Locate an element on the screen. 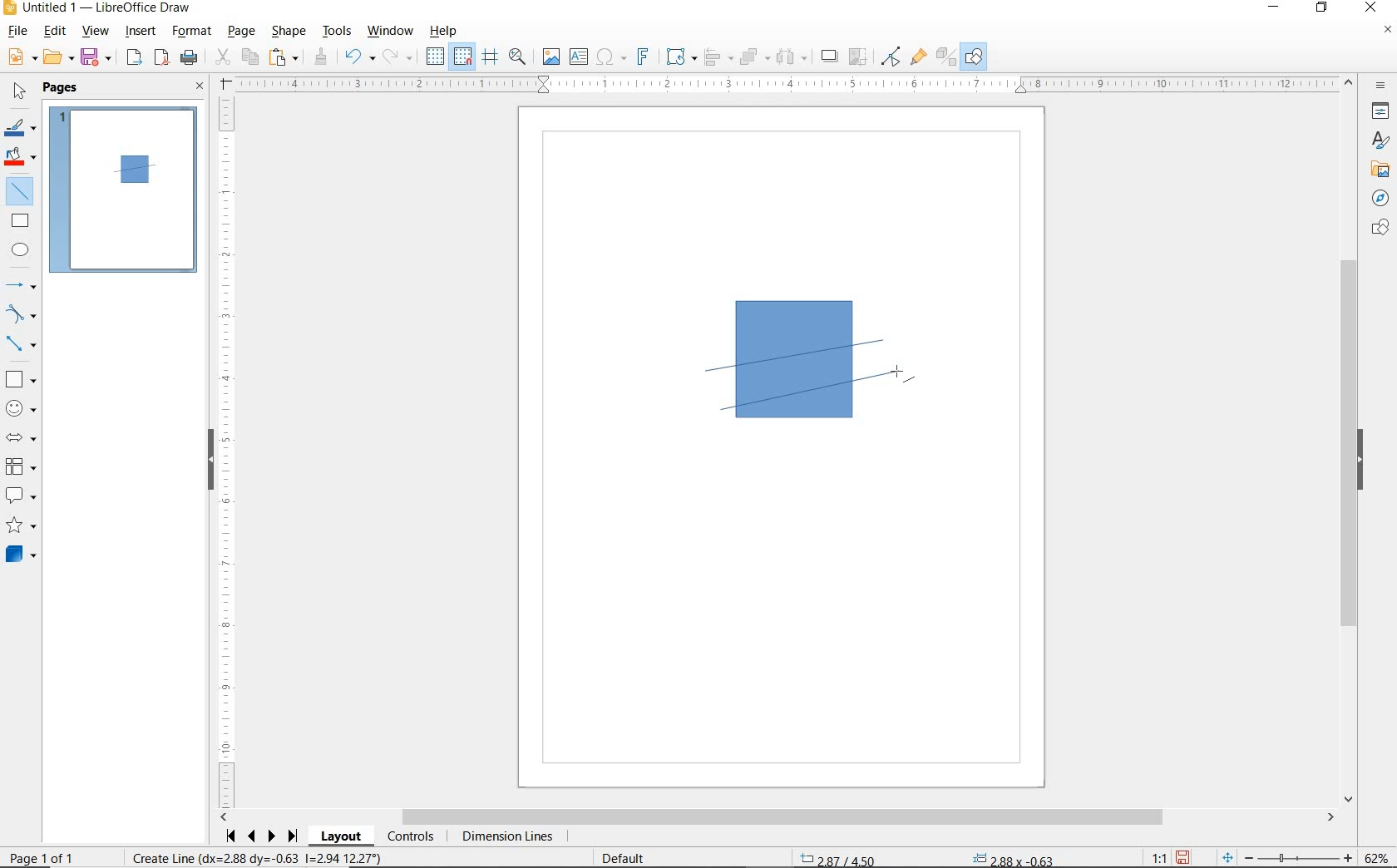  ZOOM & PAN is located at coordinates (518, 57).